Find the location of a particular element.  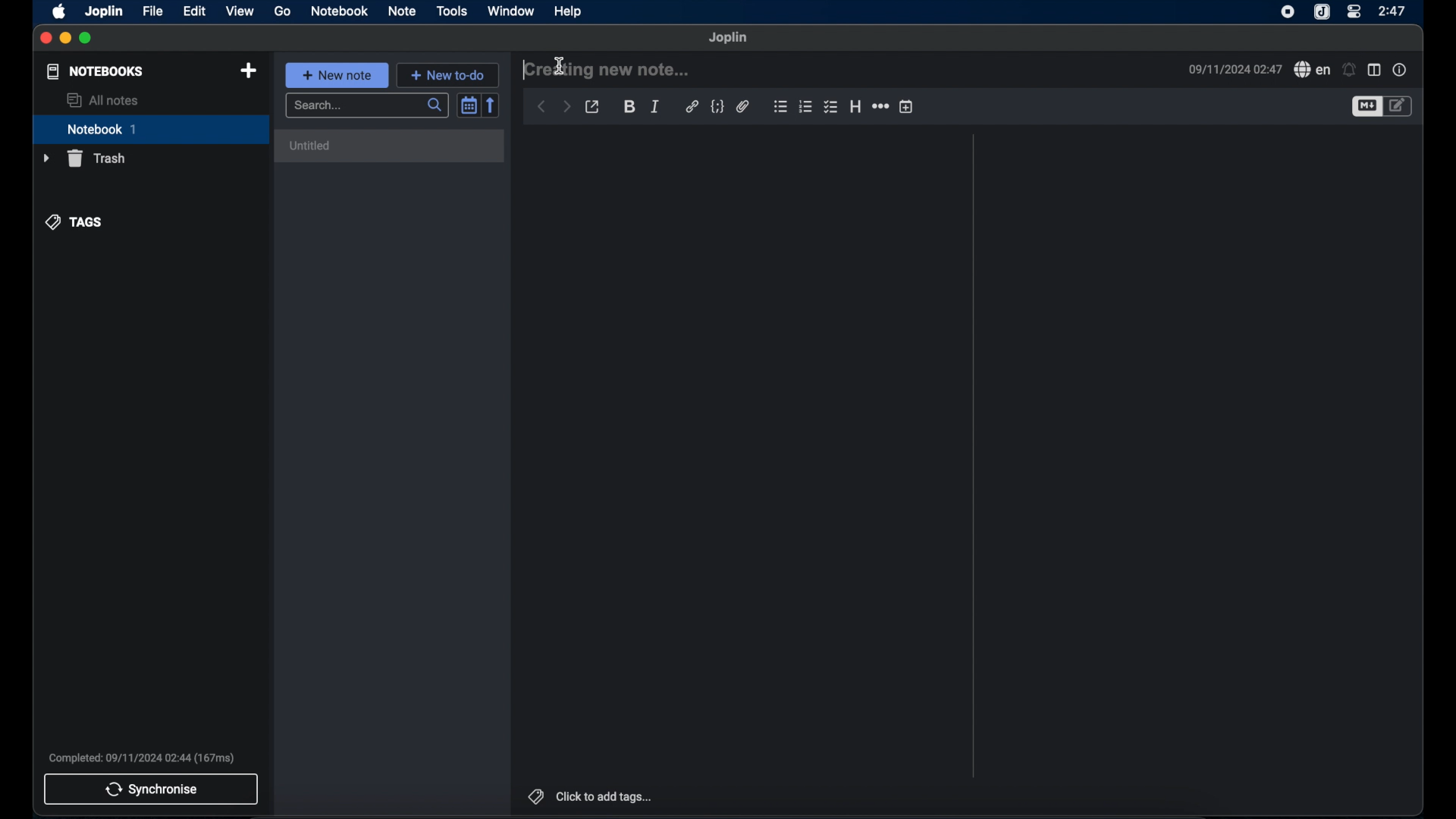

trash is located at coordinates (86, 158).